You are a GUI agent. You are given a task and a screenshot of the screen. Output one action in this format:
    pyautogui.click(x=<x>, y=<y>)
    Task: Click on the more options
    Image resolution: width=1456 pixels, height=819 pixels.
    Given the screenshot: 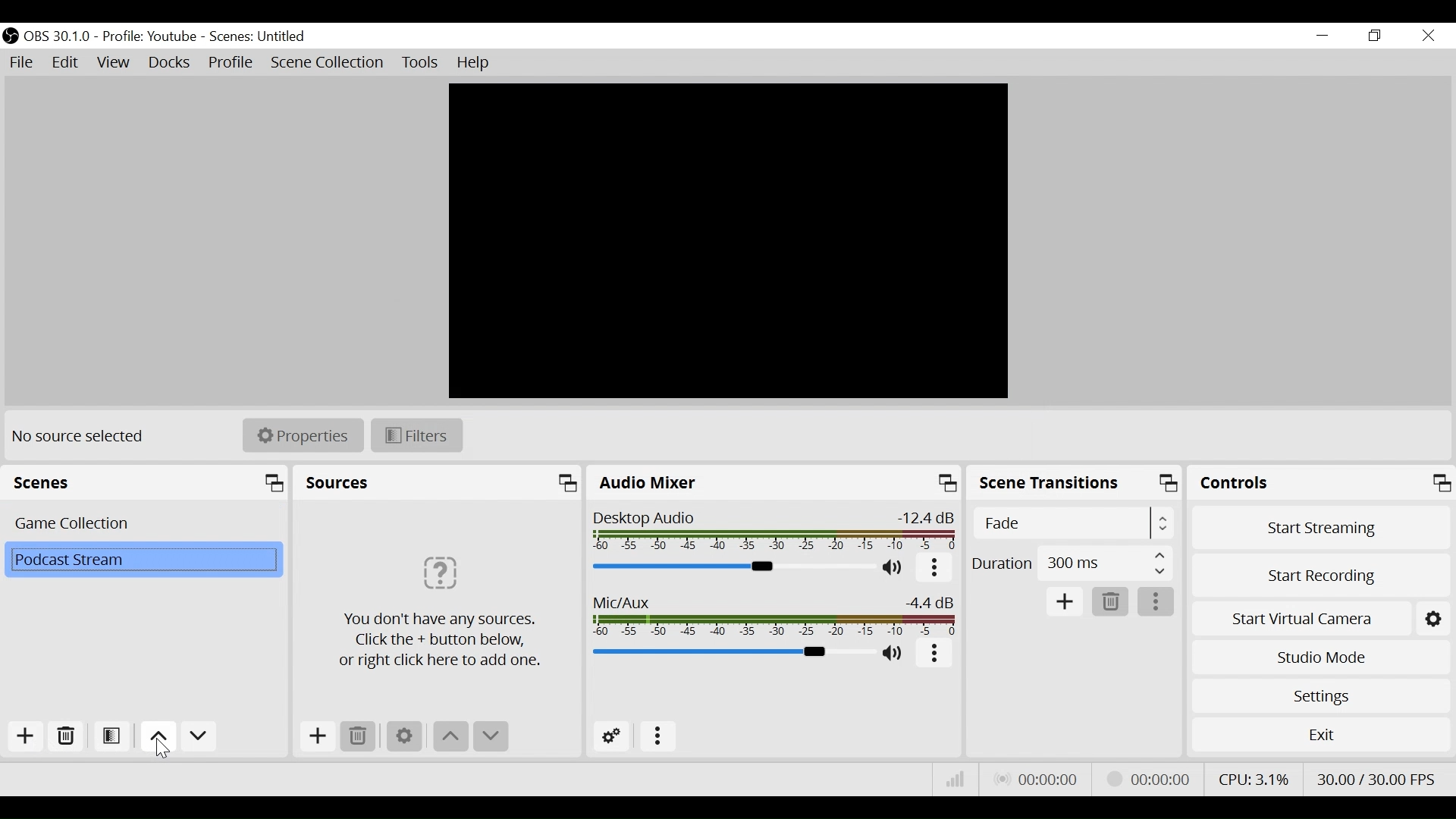 What is the action you would take?
    pyautogui.click(x=934, y=570)
    